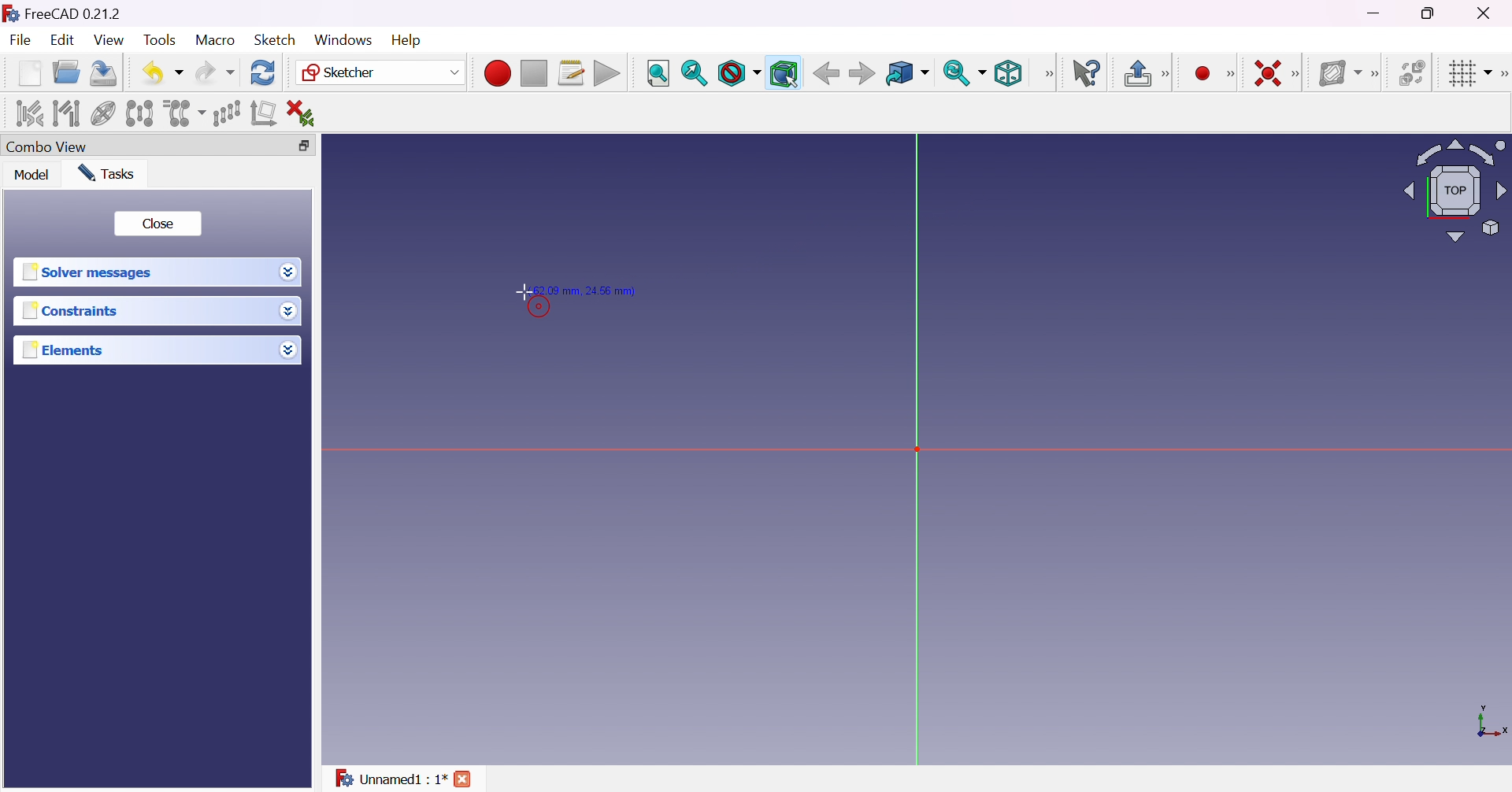  What do you see at coordinates (1490, 723) in the screenshot?
I see `x, y axis` at bounding box center [1490, 723].